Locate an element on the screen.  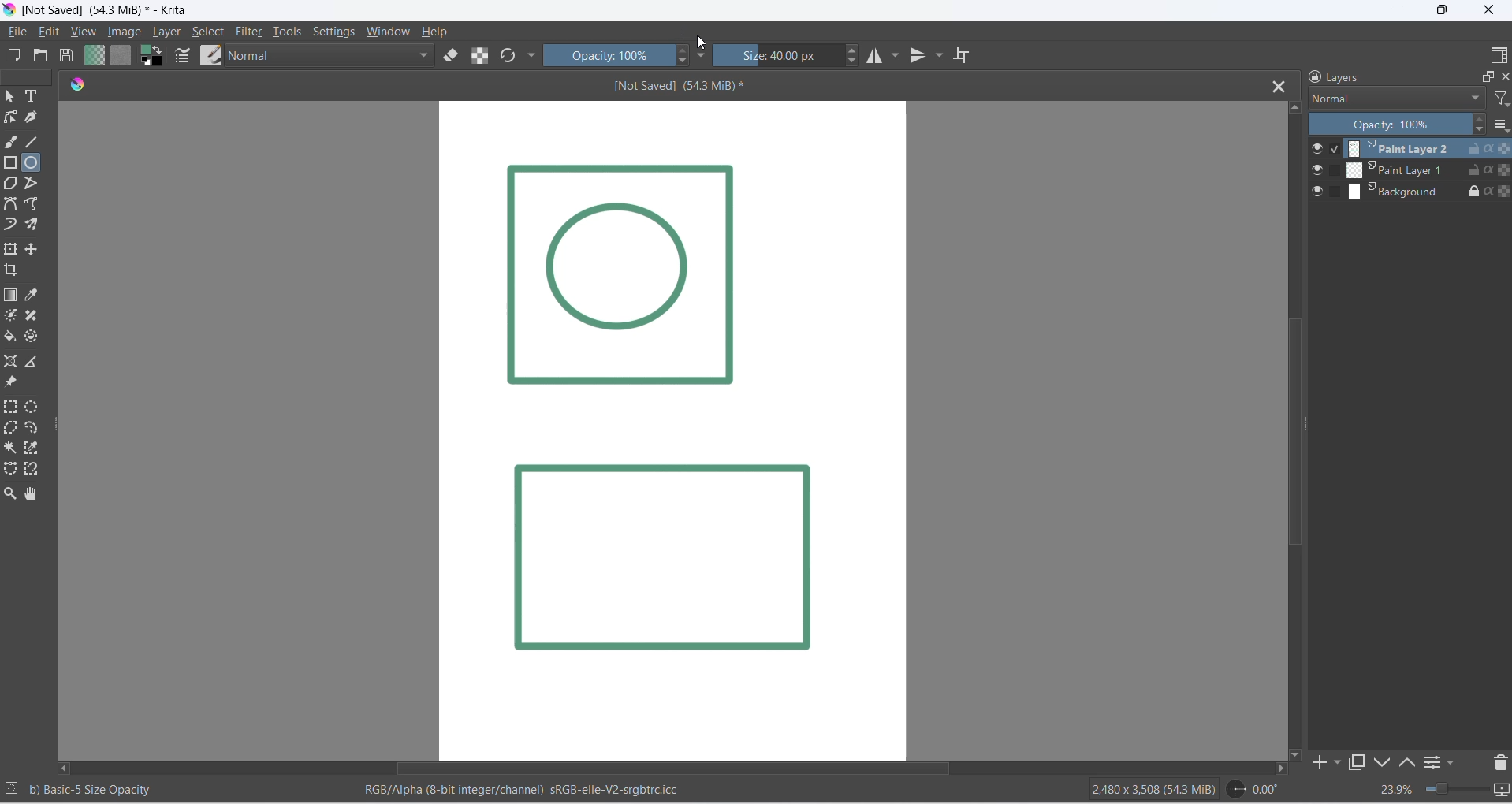
display type is located at coordinates (1496, 54).